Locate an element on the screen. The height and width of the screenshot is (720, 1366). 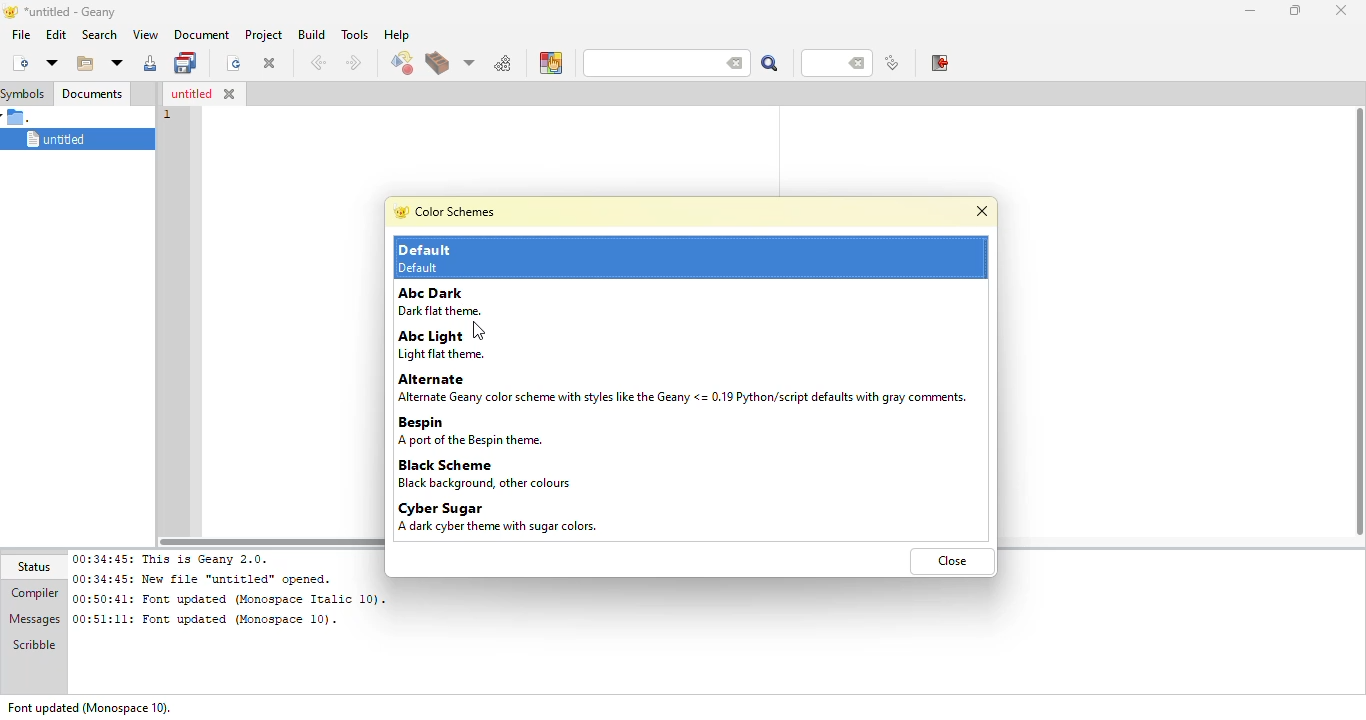
next is located at coordinates (352, 63).